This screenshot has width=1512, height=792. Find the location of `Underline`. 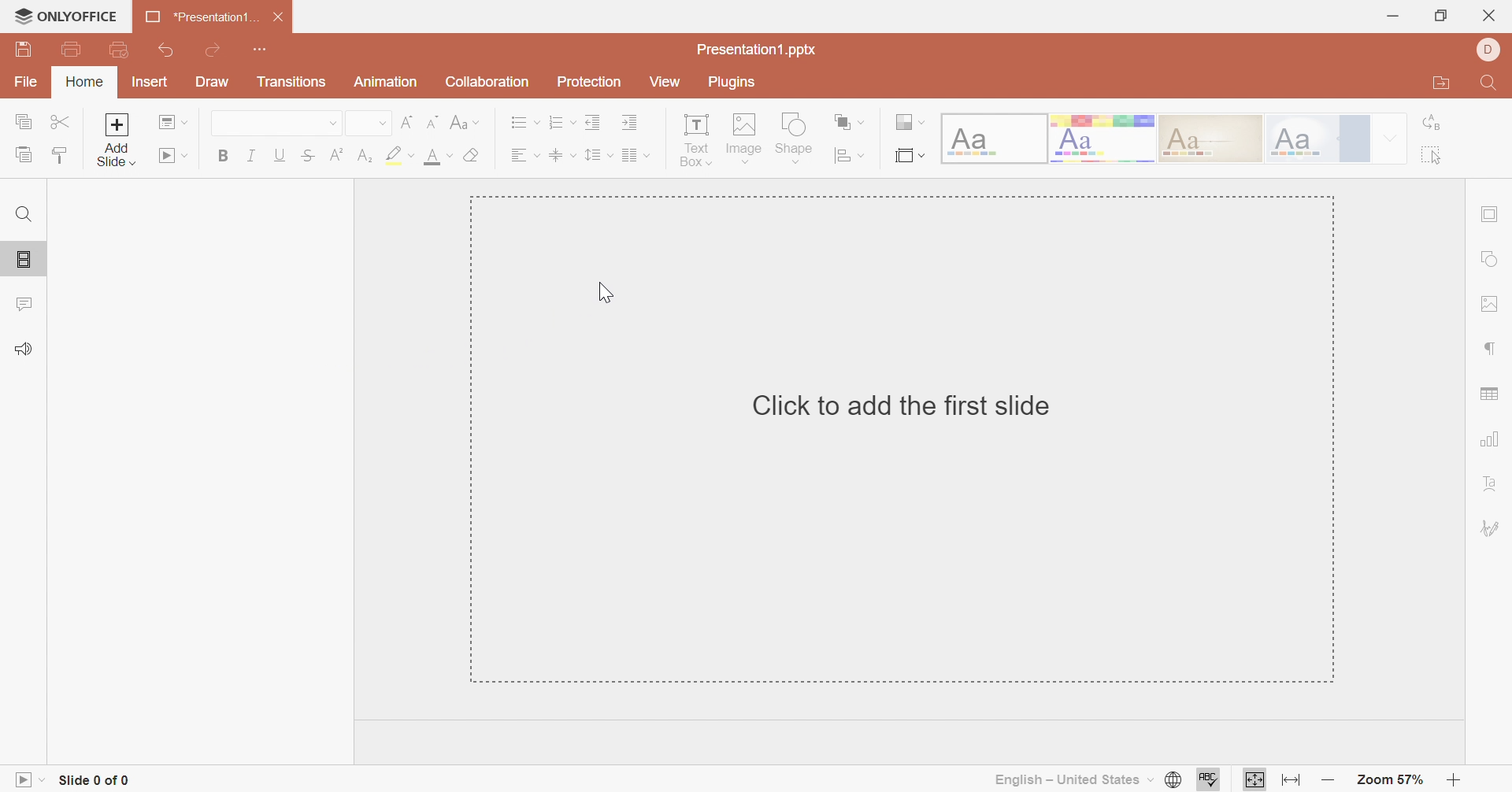

Underline is located at coordinates (279, 155).